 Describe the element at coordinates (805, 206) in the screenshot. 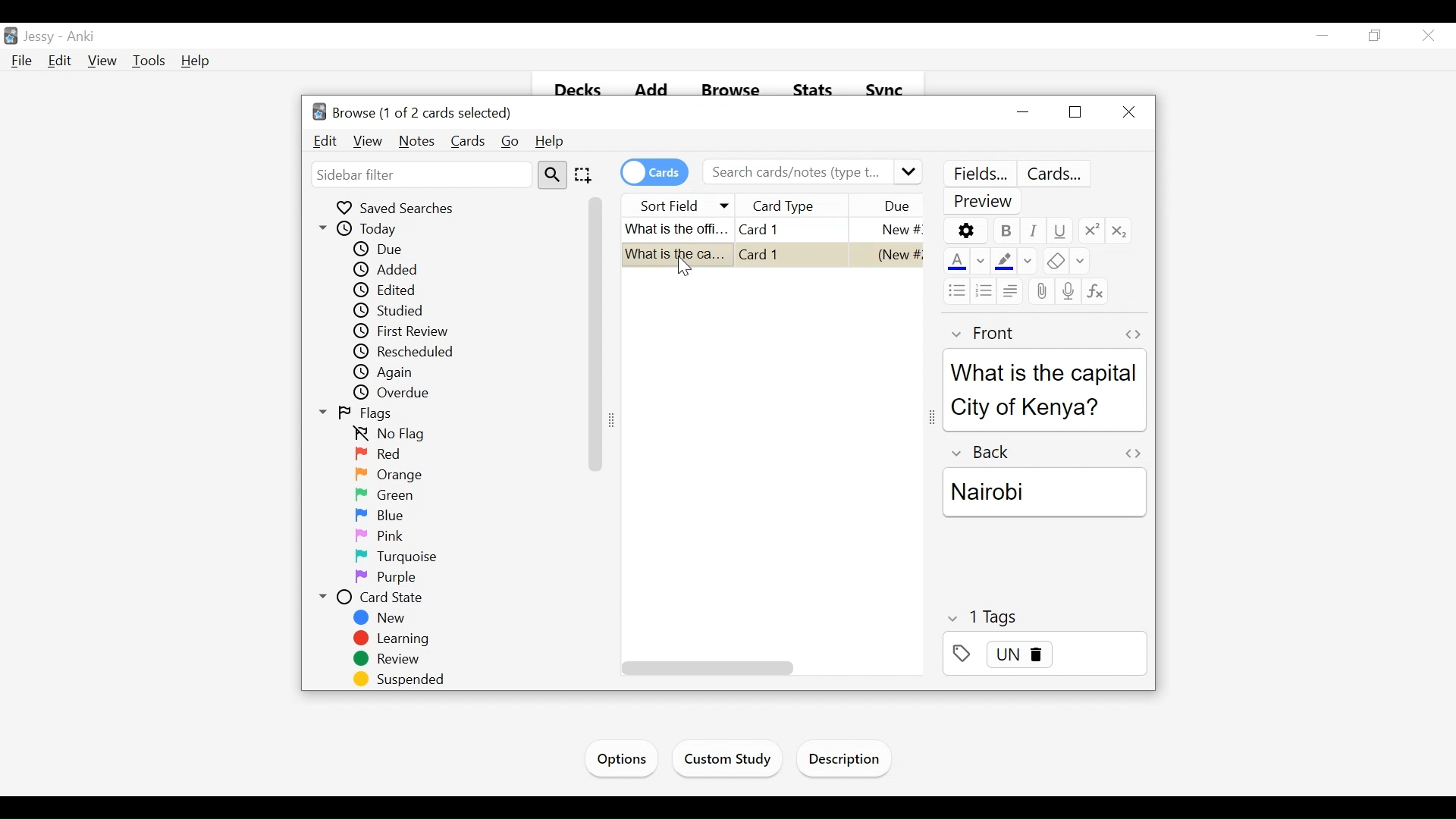

I see `Card Type` at that location.